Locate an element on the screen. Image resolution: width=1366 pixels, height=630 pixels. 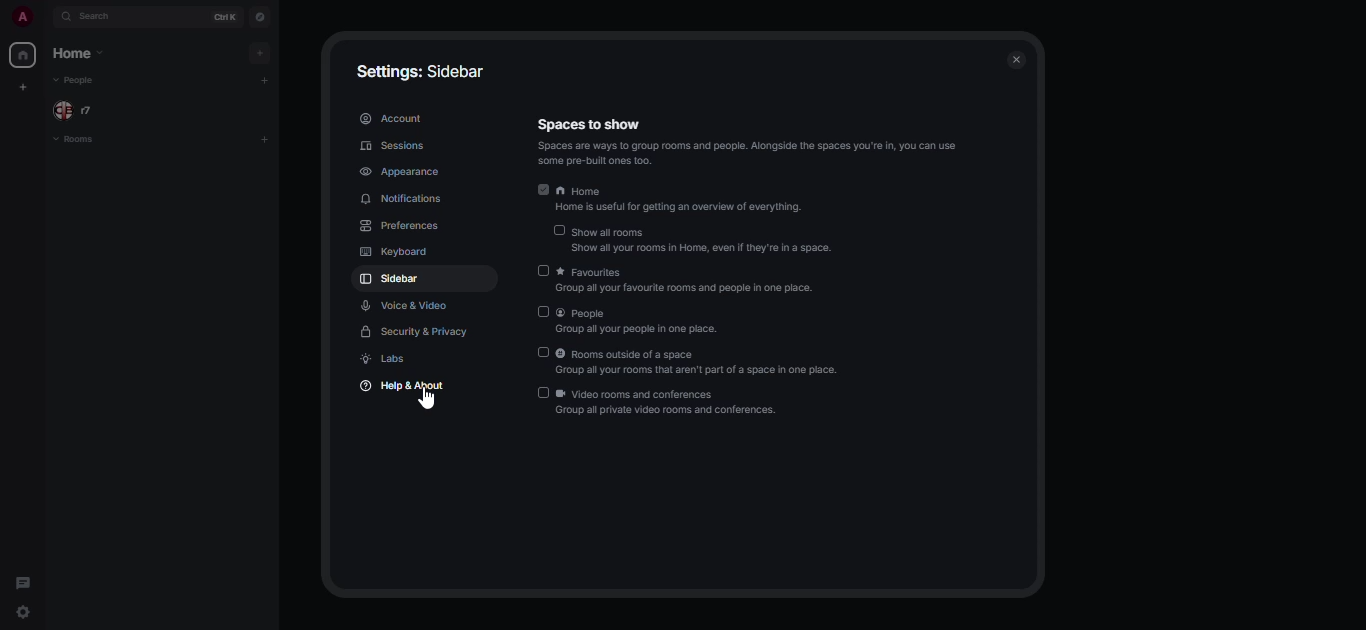
sidebar is located at coordinates (393, 278).